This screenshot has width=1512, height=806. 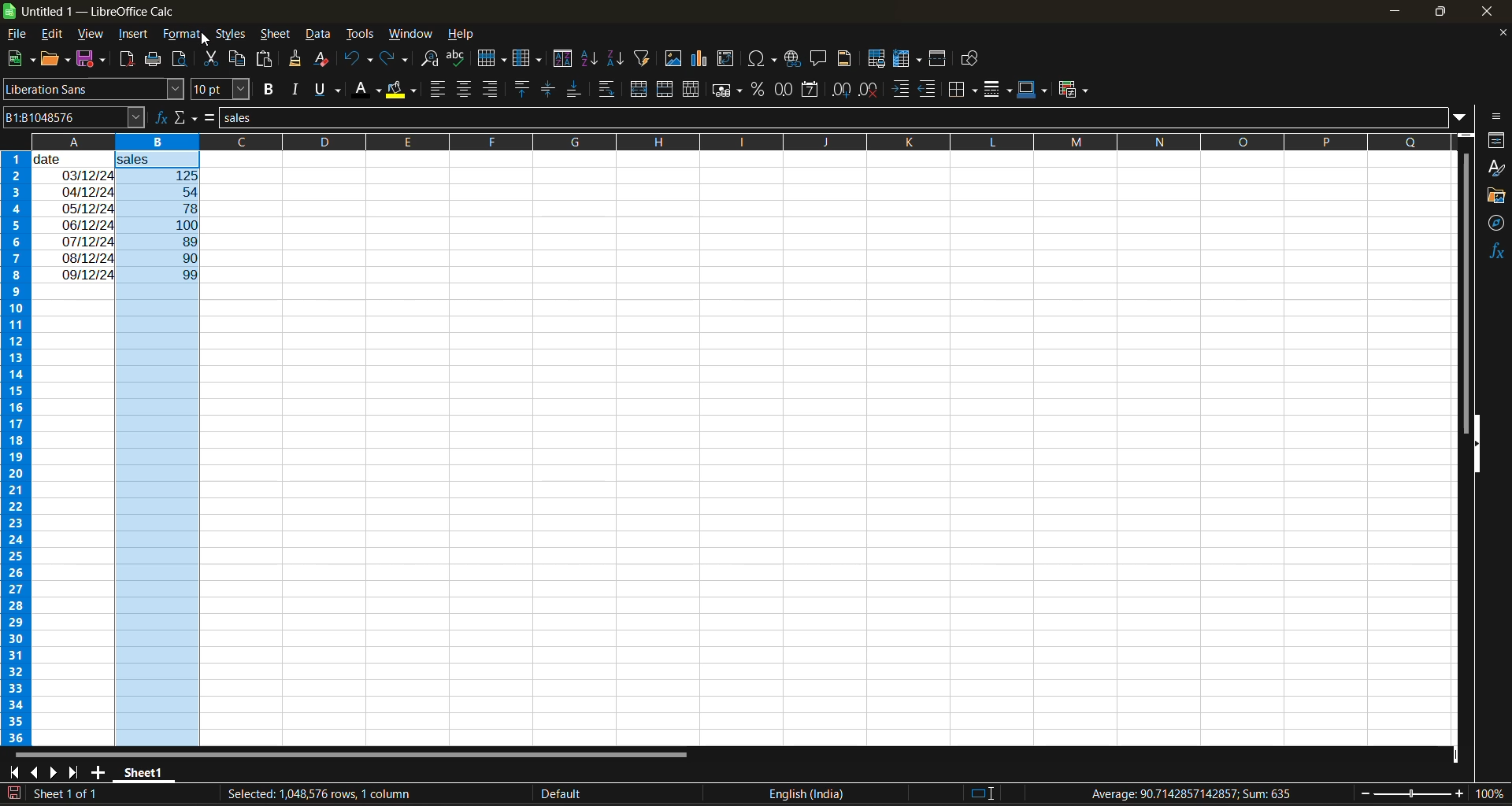 What do you see at coordinates (1478, 444) in the screenshot?
I see `hide` at bounding box center [1478, 444].